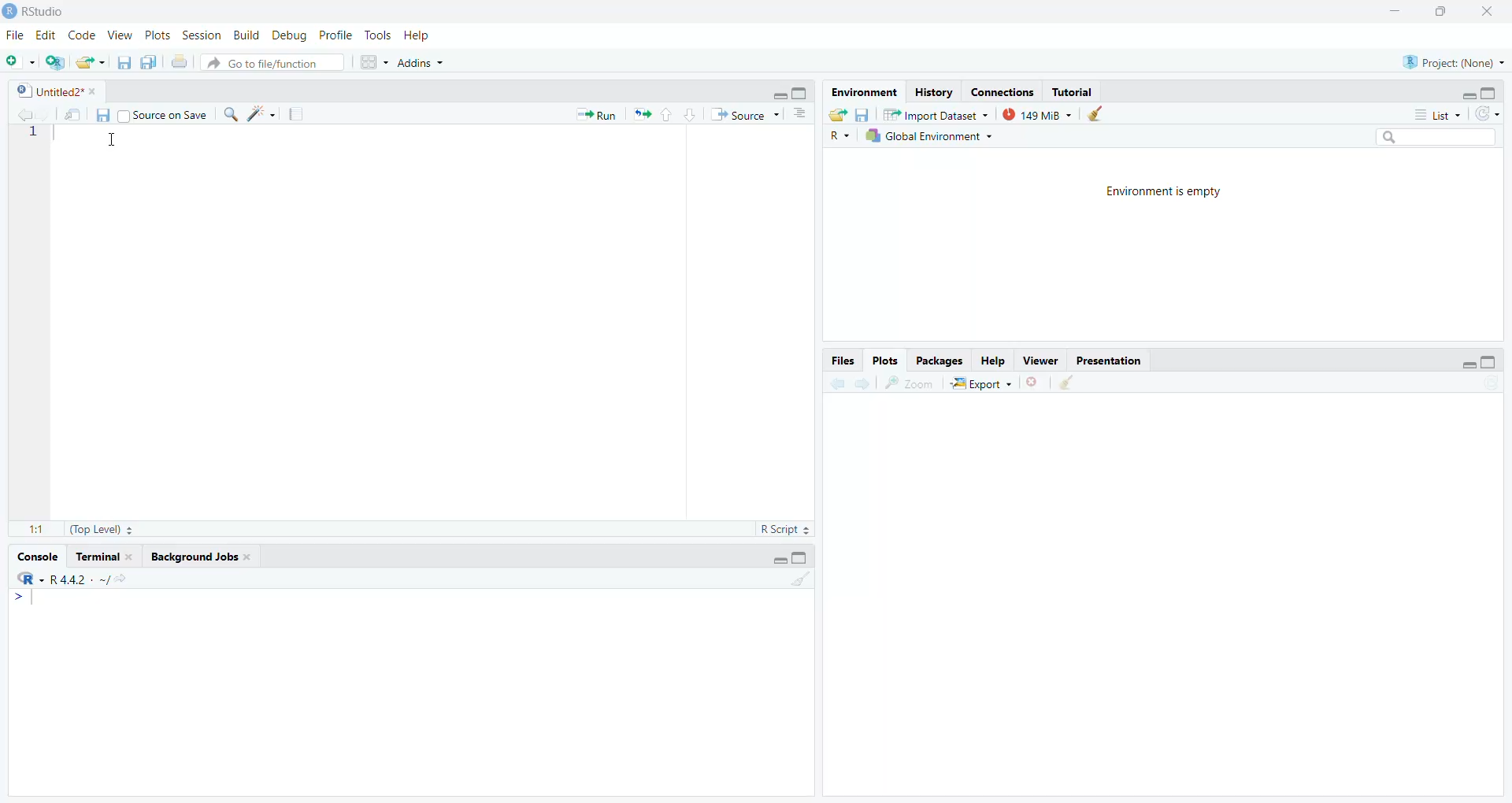 This screenshot has width=1512, height=803. Describe the element at coordinates (779, 94) in the screenshot. I see `Minimize` at that location.